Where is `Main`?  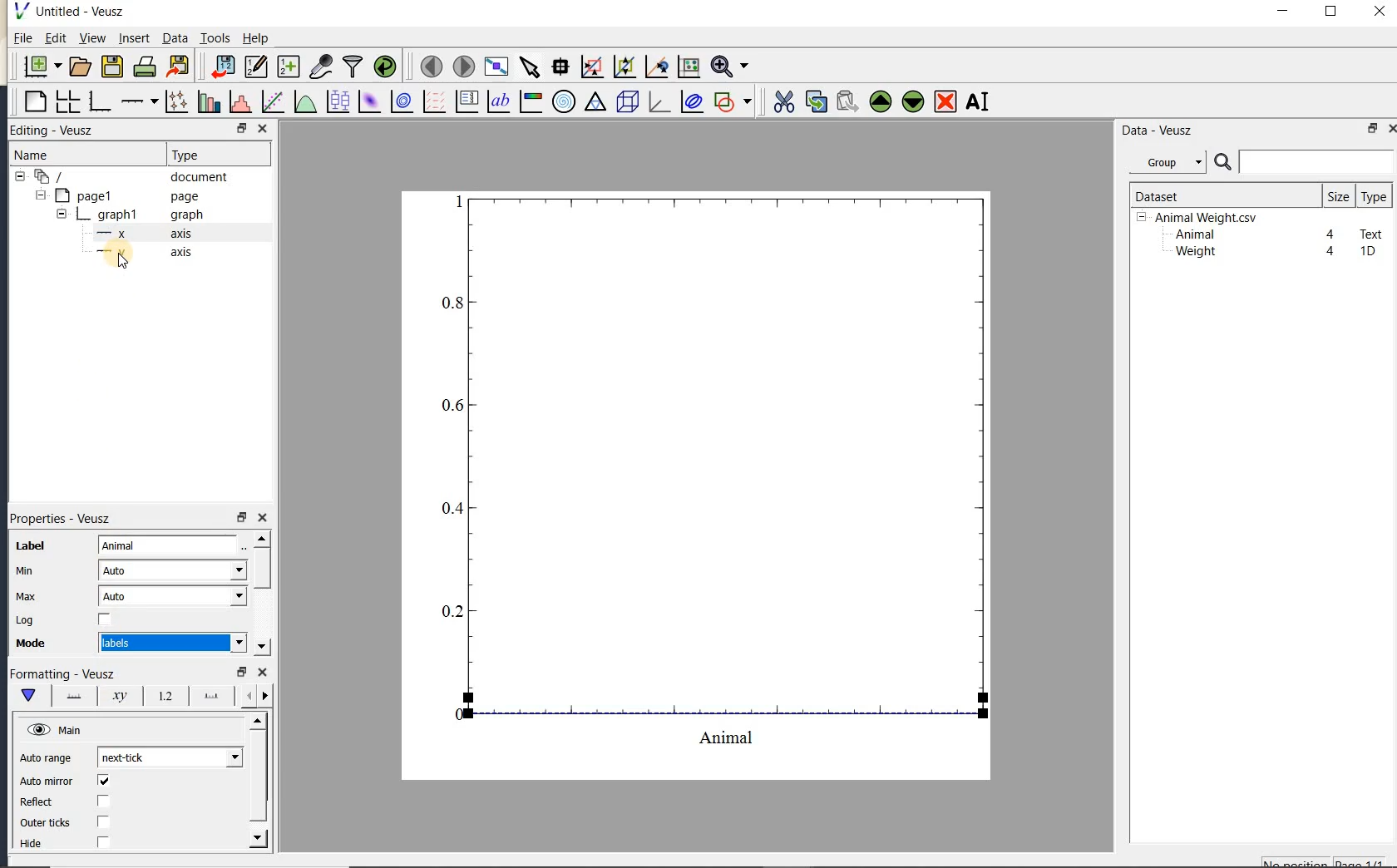
Main is located at coordinates (57, 731).